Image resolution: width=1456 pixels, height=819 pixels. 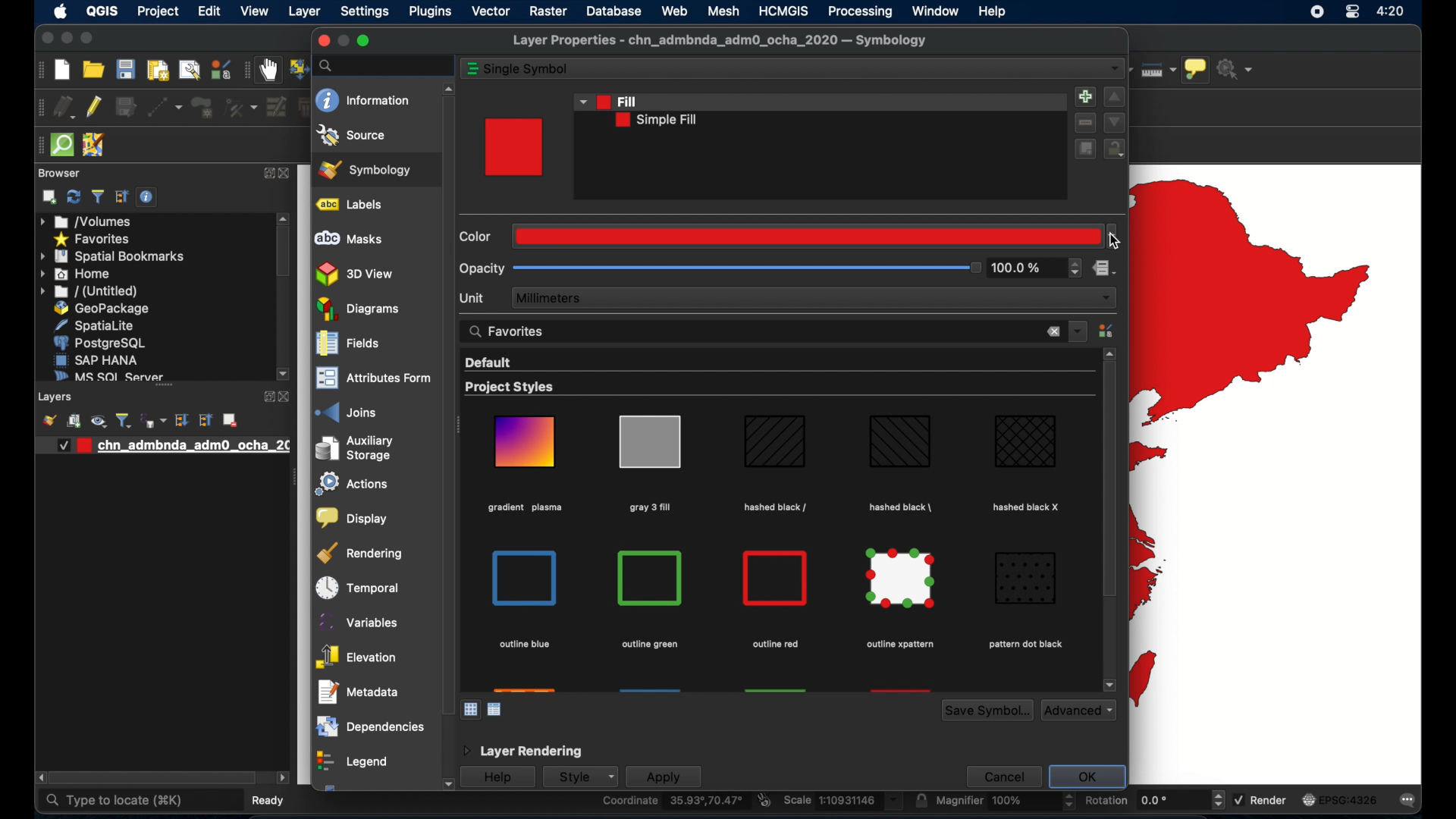 What do you see at coordinates (61, 146) in the screenshot?
I see `quicksom` at bounding box center [61, 146].